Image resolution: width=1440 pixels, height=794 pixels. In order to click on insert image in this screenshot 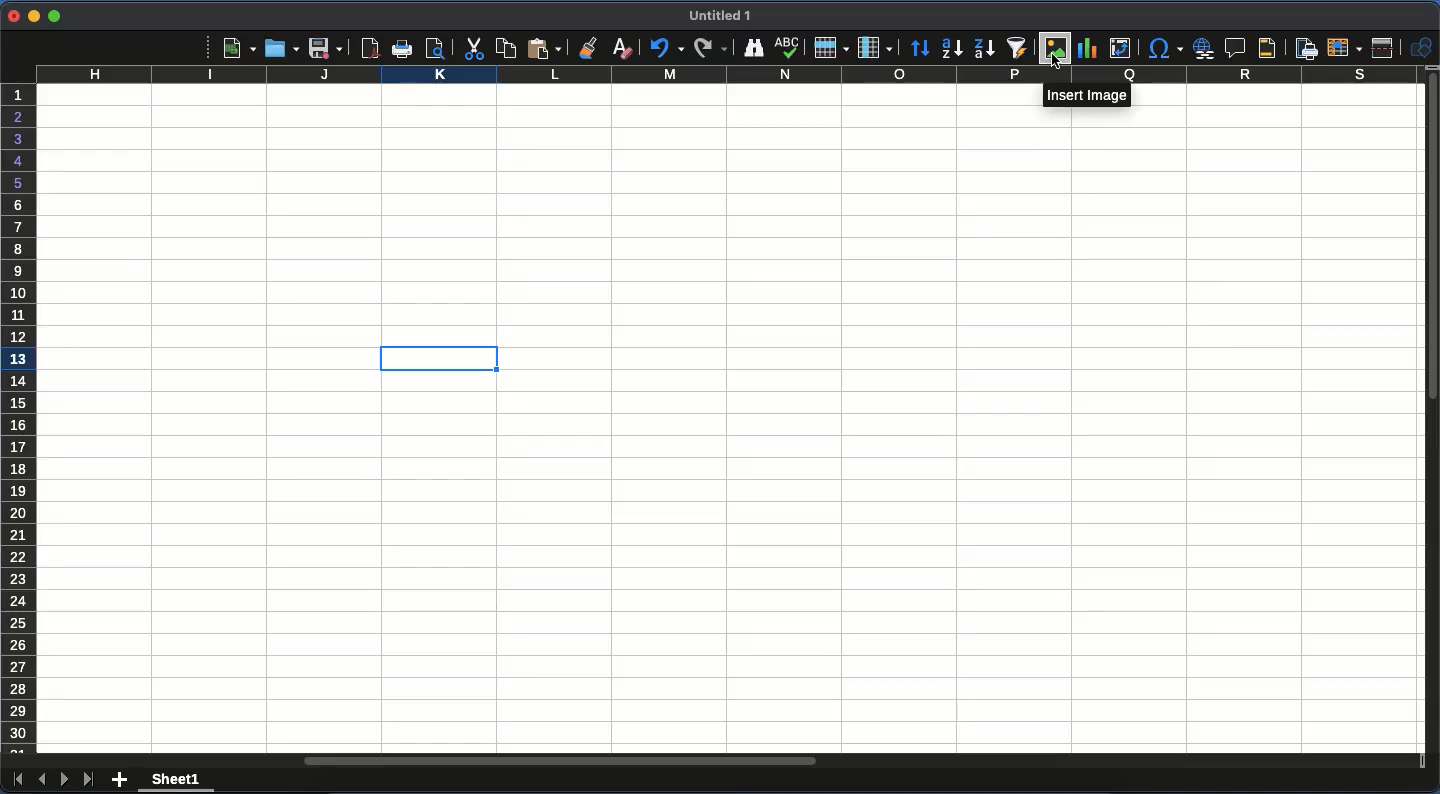, I will do `click(1090, 95)`.